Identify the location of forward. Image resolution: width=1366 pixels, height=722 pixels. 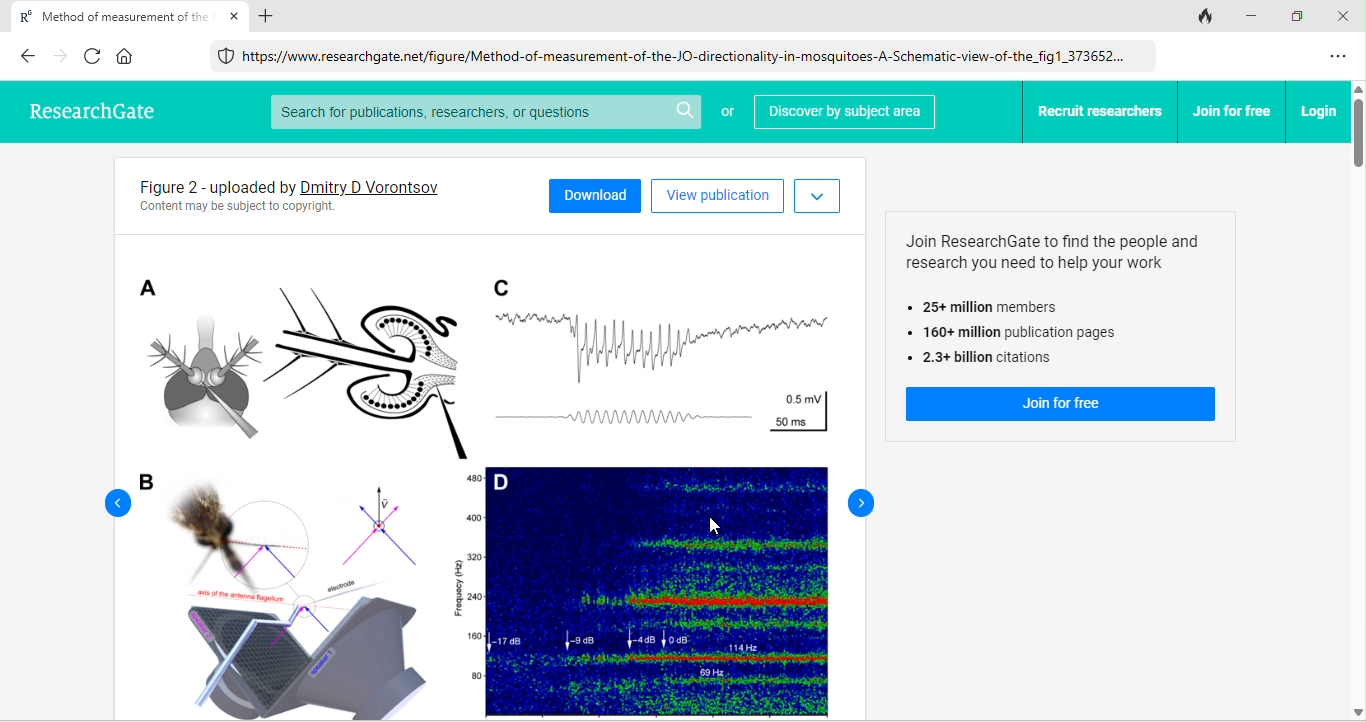
(62, 56).